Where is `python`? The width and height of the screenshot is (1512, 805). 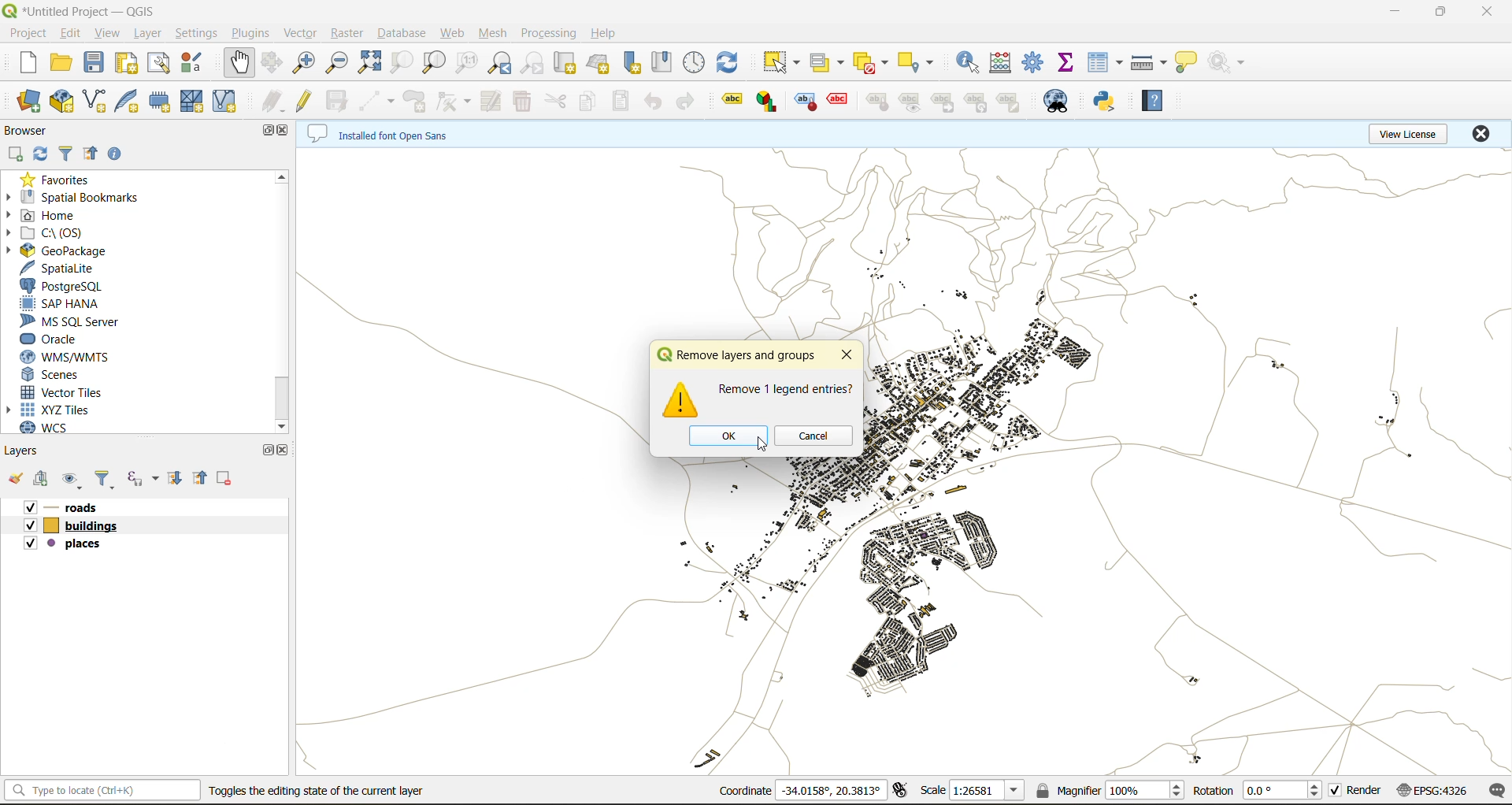
python is located at coordinates (1104, 102).